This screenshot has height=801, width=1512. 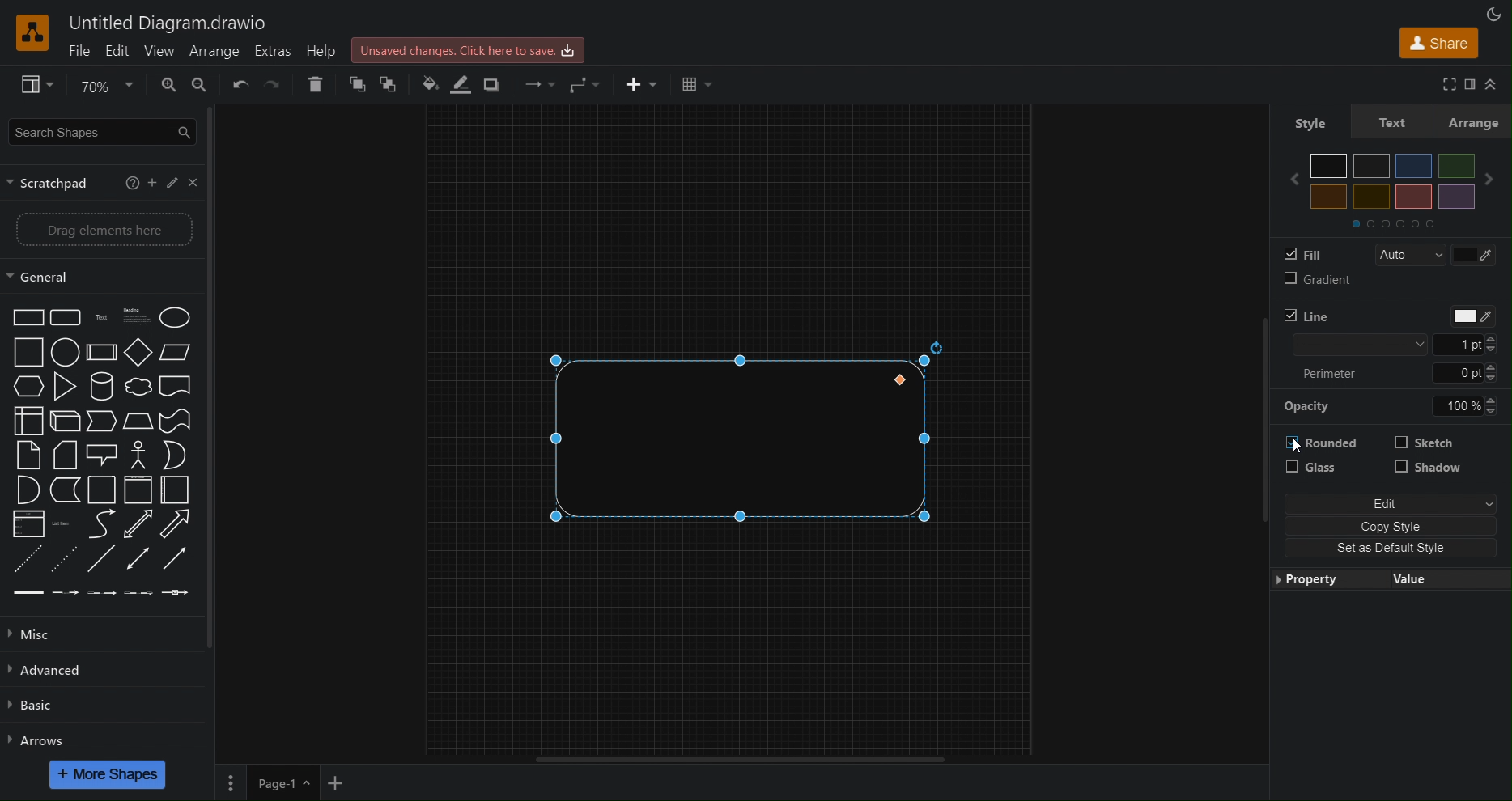 I want to click on Send Front, so click(x=355, y=87).